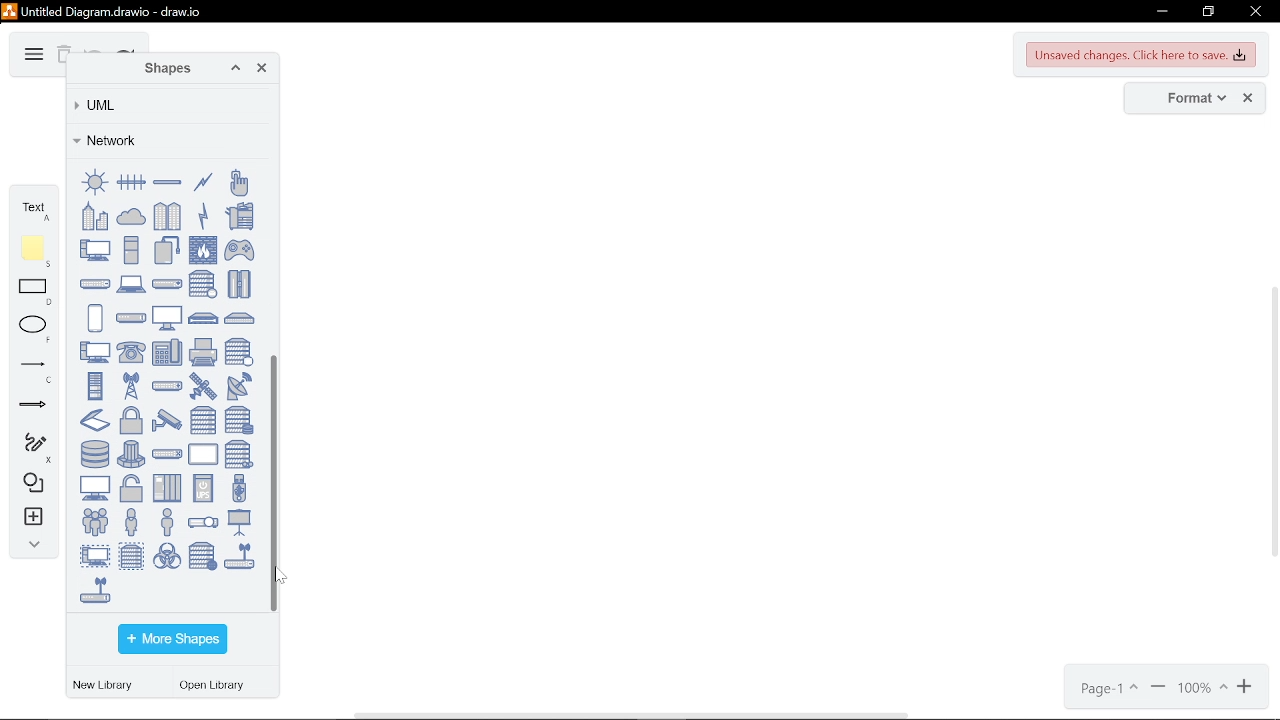 This screenshot has width=1280, height=720. What do you see at coordinates (239, 215) in the screenshot?
I see `copier` at bounding box center [239, 215].